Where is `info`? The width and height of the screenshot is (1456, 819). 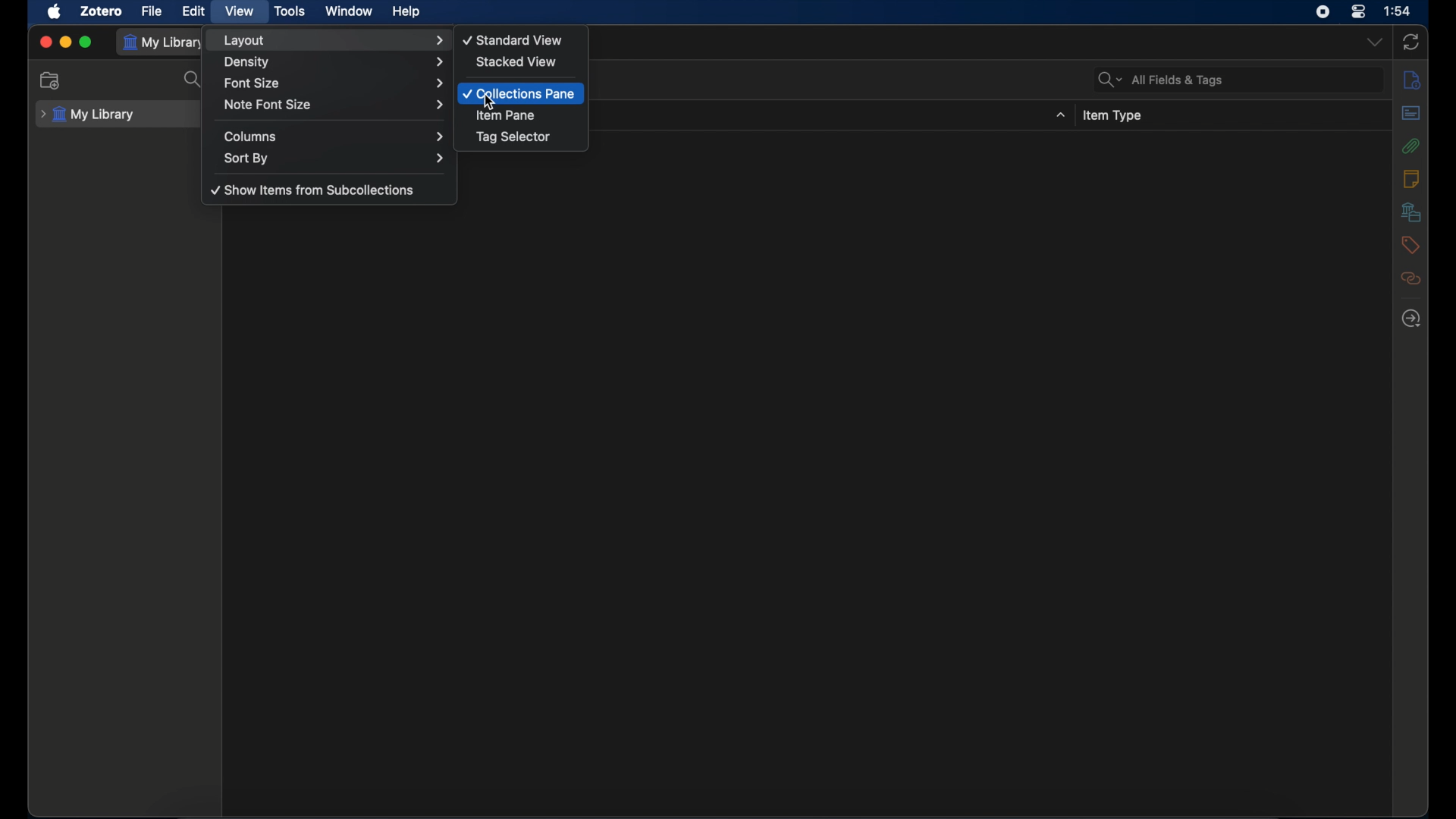 info is located at coordinates (1412, 80).